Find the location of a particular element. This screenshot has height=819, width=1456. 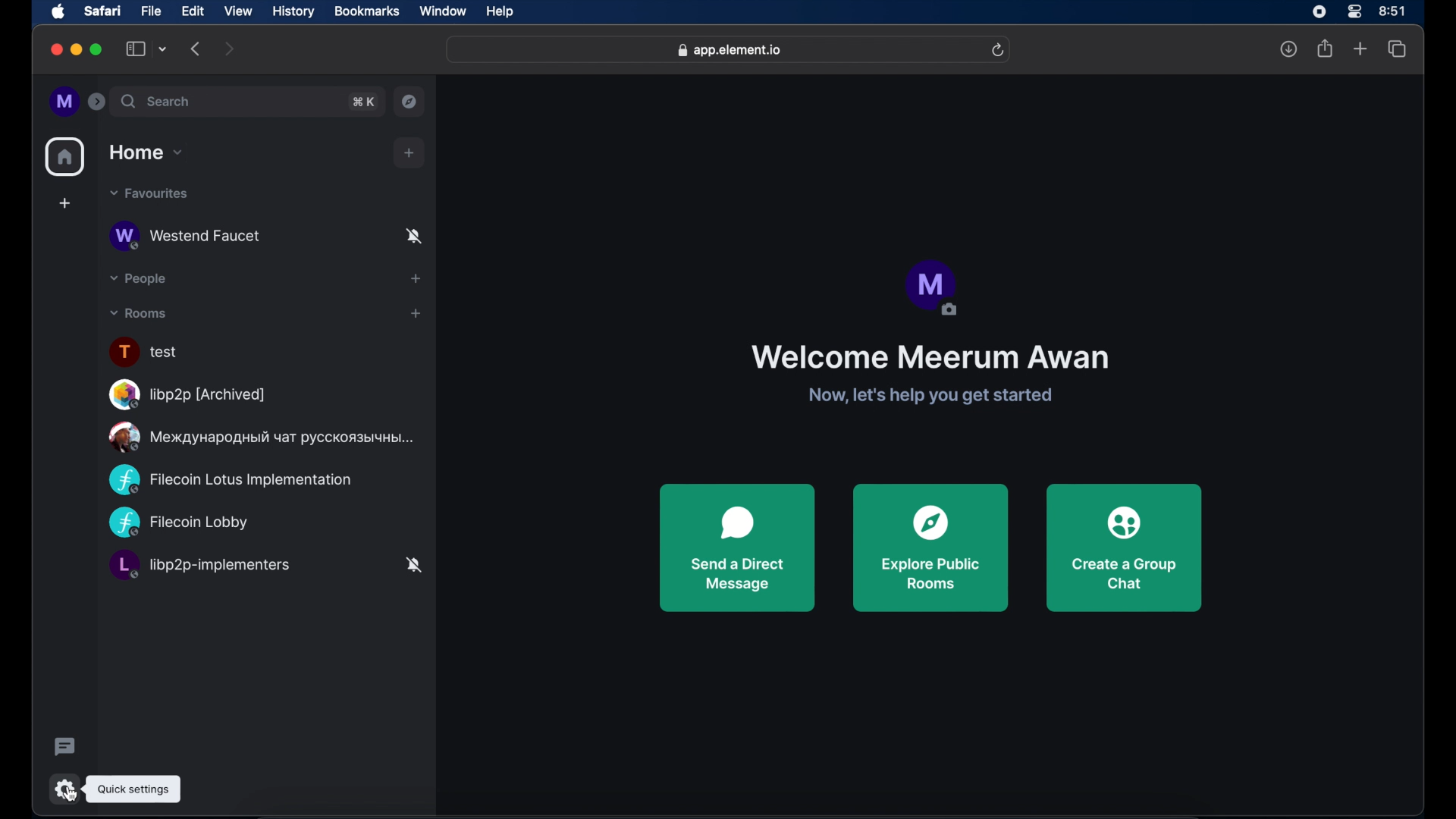

add is located at coordinates (416, 315).